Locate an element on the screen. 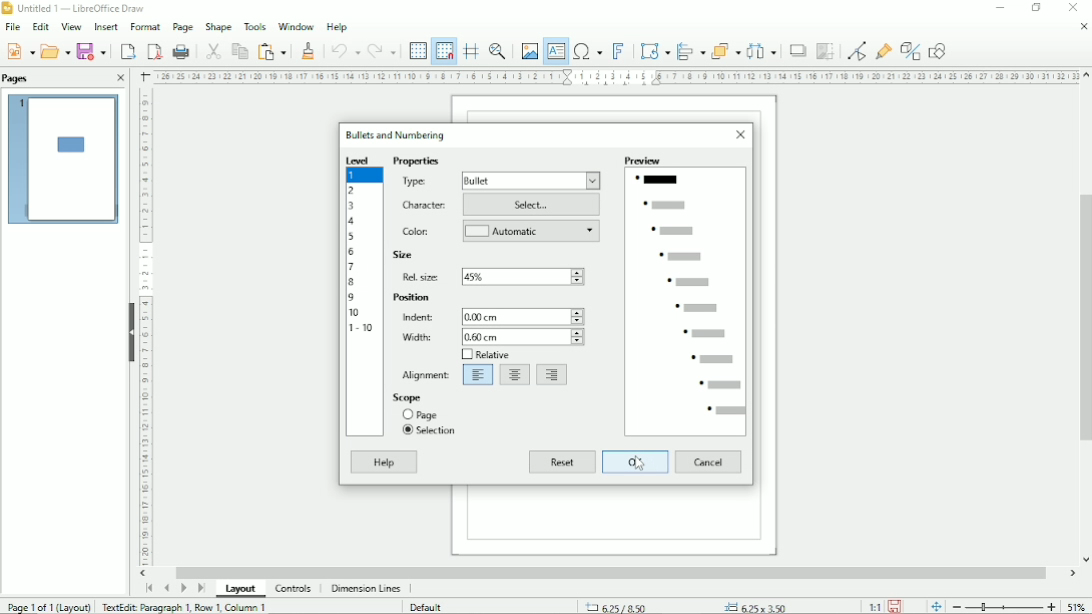  Scroll to first page is located at coordinates (149, 587).